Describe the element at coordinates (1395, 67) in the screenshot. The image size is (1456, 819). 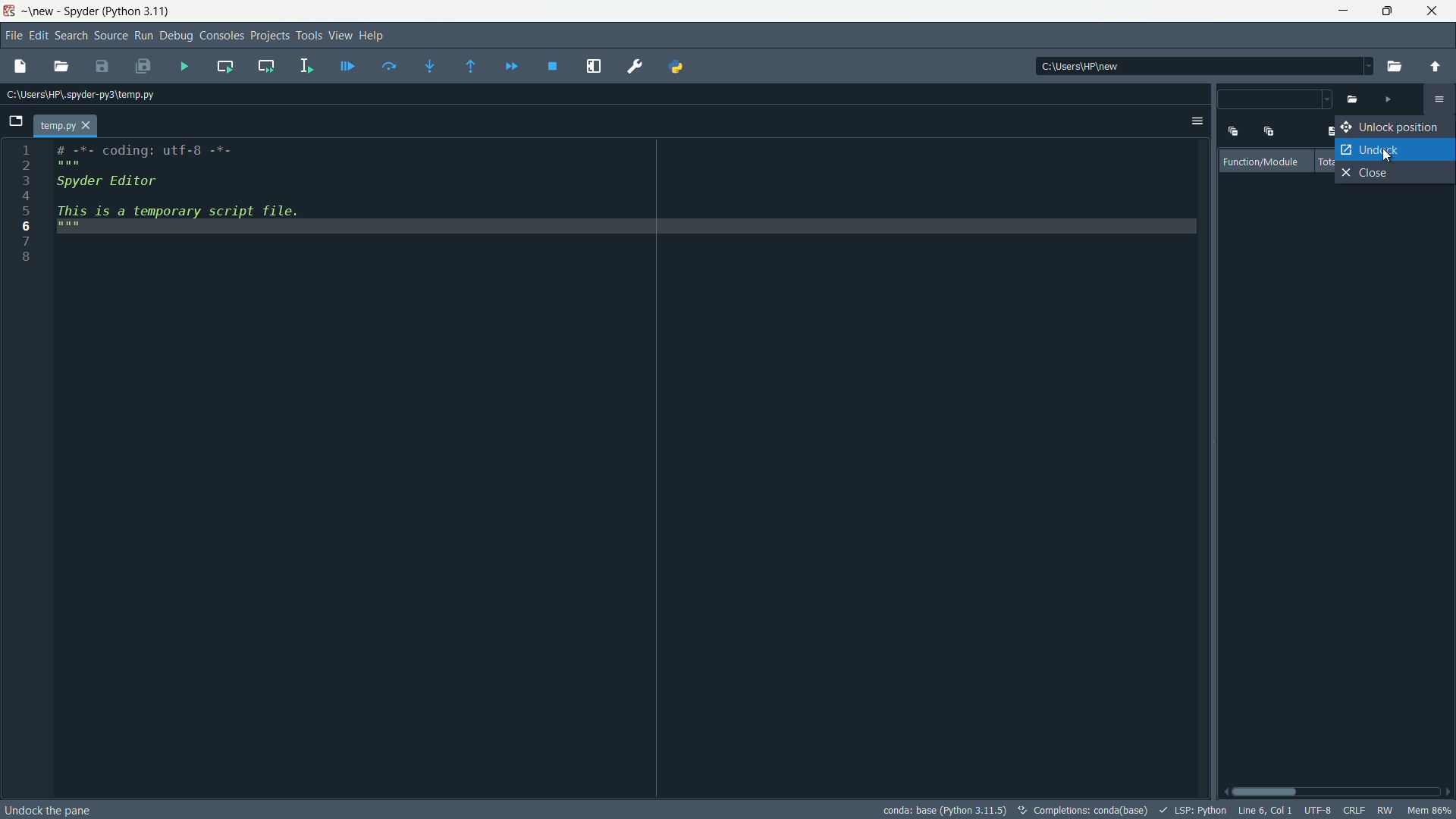
I see `open file` at that location.